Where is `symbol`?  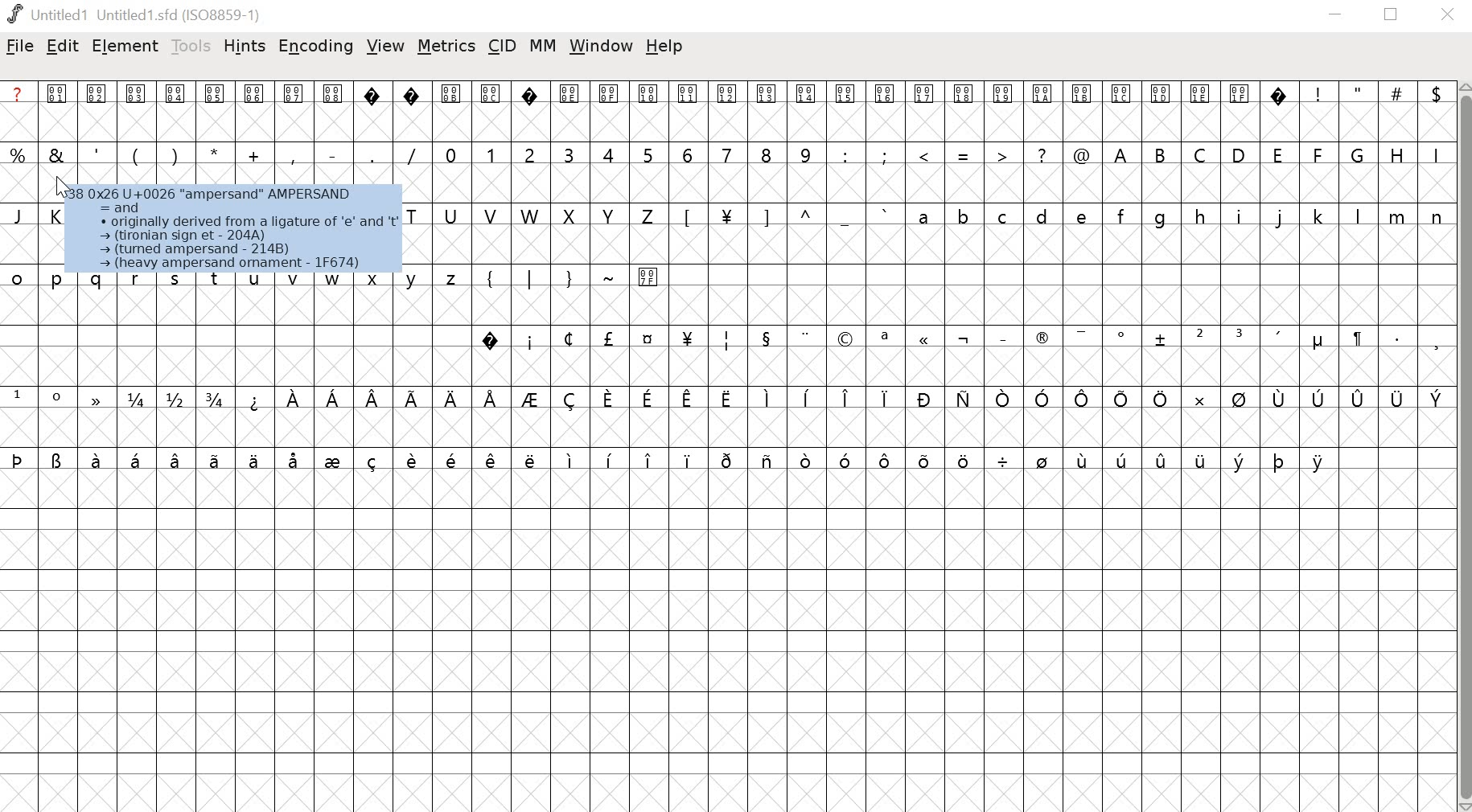 symbol is located at coordinates (98, 399).